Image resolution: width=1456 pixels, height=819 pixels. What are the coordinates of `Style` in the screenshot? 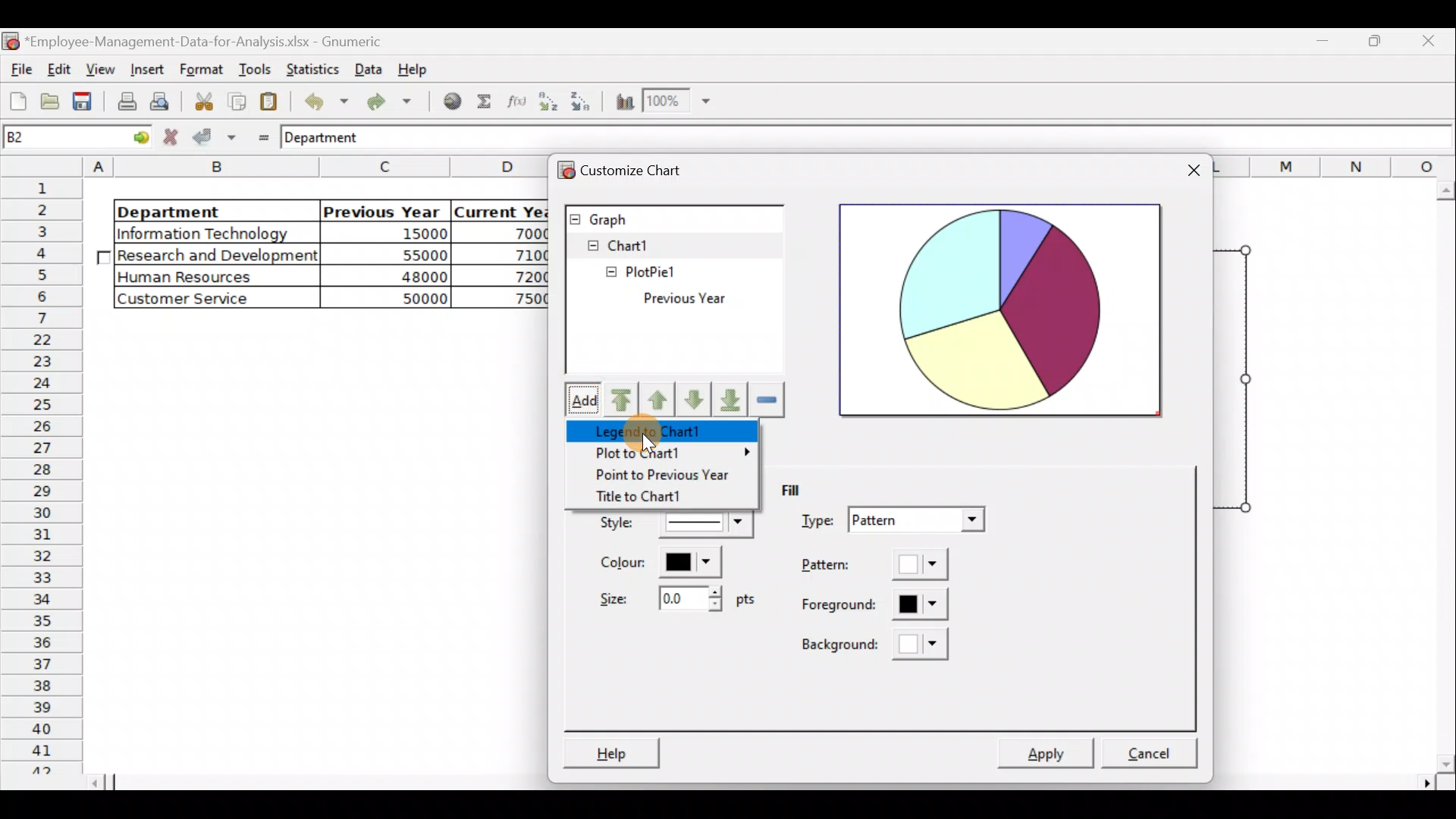 It's located at (670, 526).